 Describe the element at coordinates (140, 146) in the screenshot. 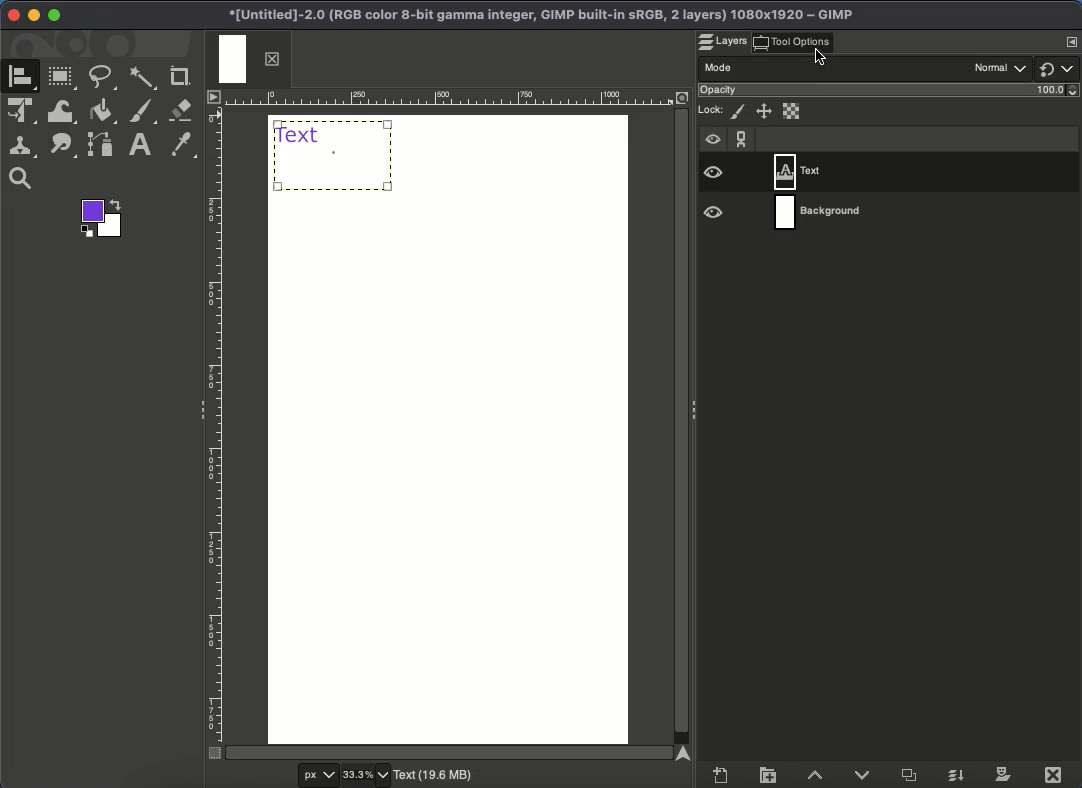

I see `Text` at that location.